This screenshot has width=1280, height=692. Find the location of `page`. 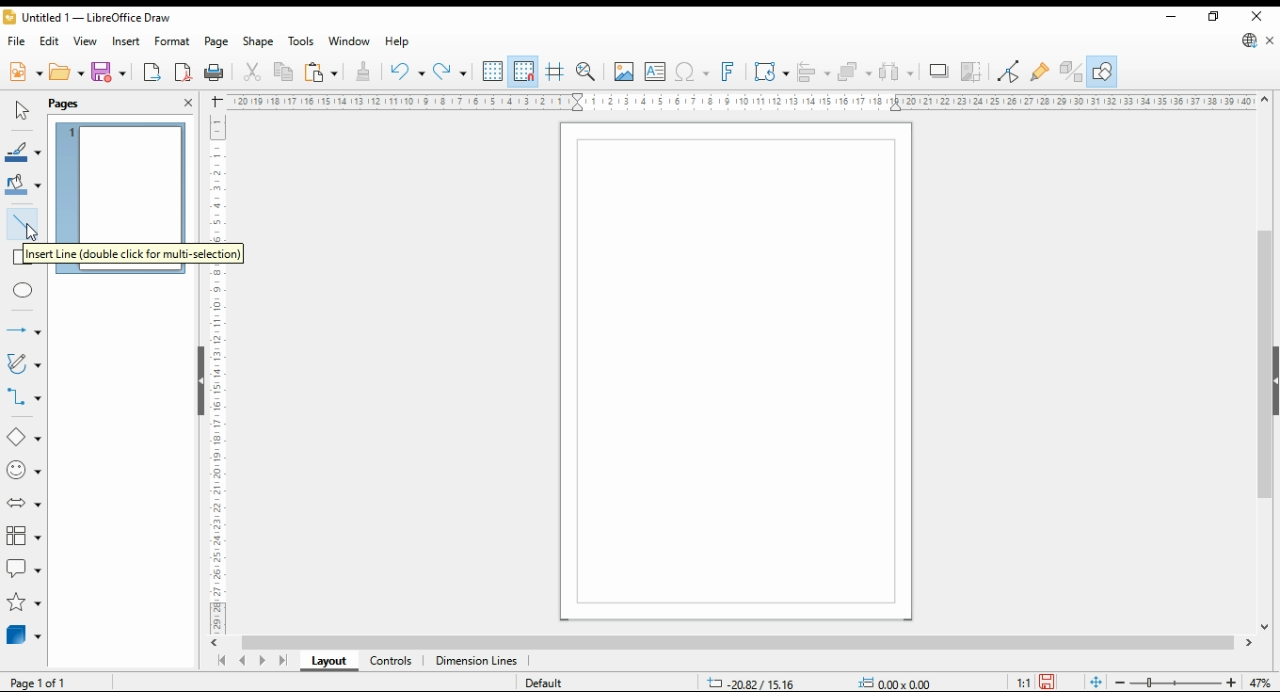

page is located at coordinates (218, 42).